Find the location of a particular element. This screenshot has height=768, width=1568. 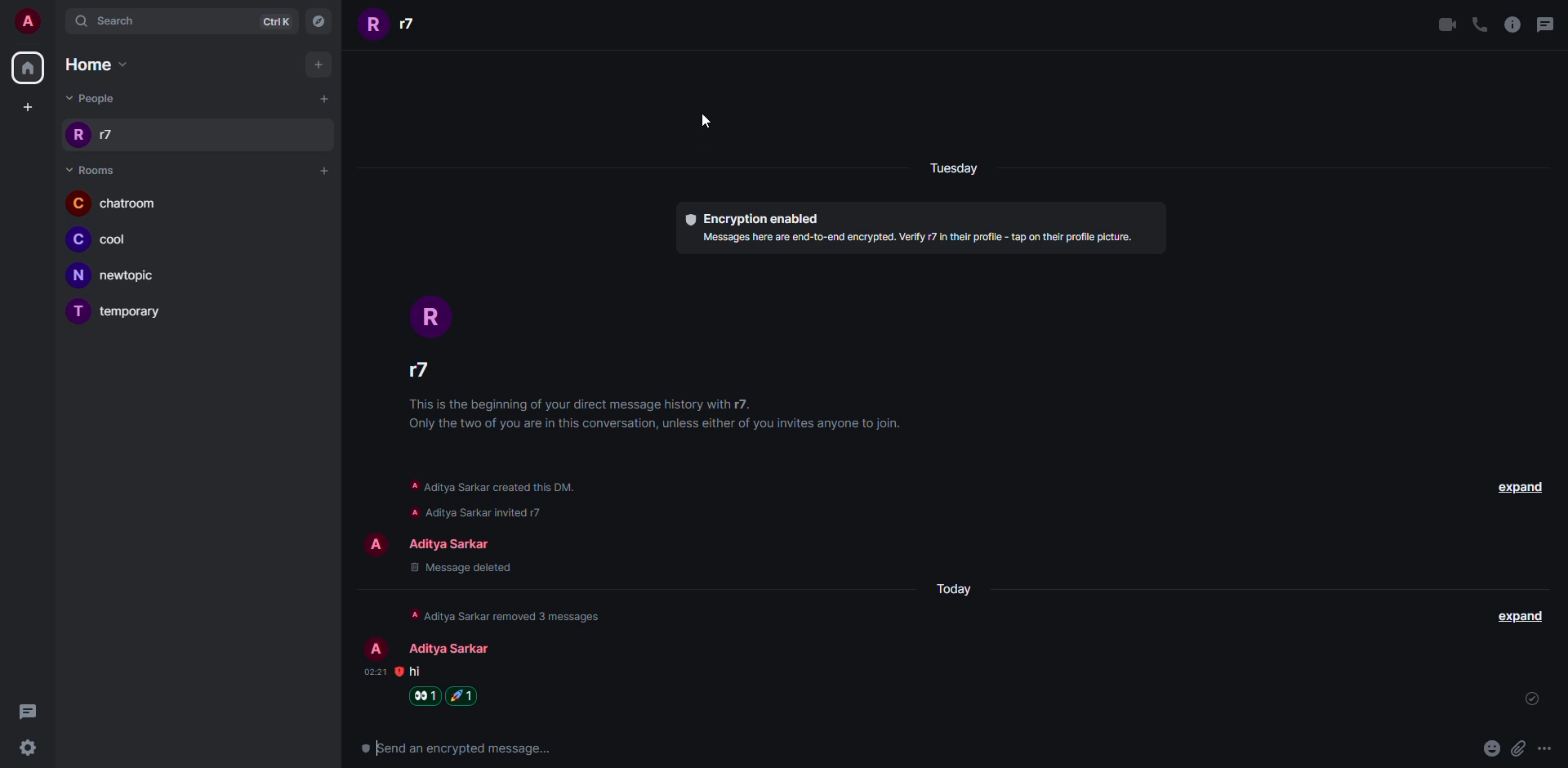

profile is located at coordinates (376, 547).